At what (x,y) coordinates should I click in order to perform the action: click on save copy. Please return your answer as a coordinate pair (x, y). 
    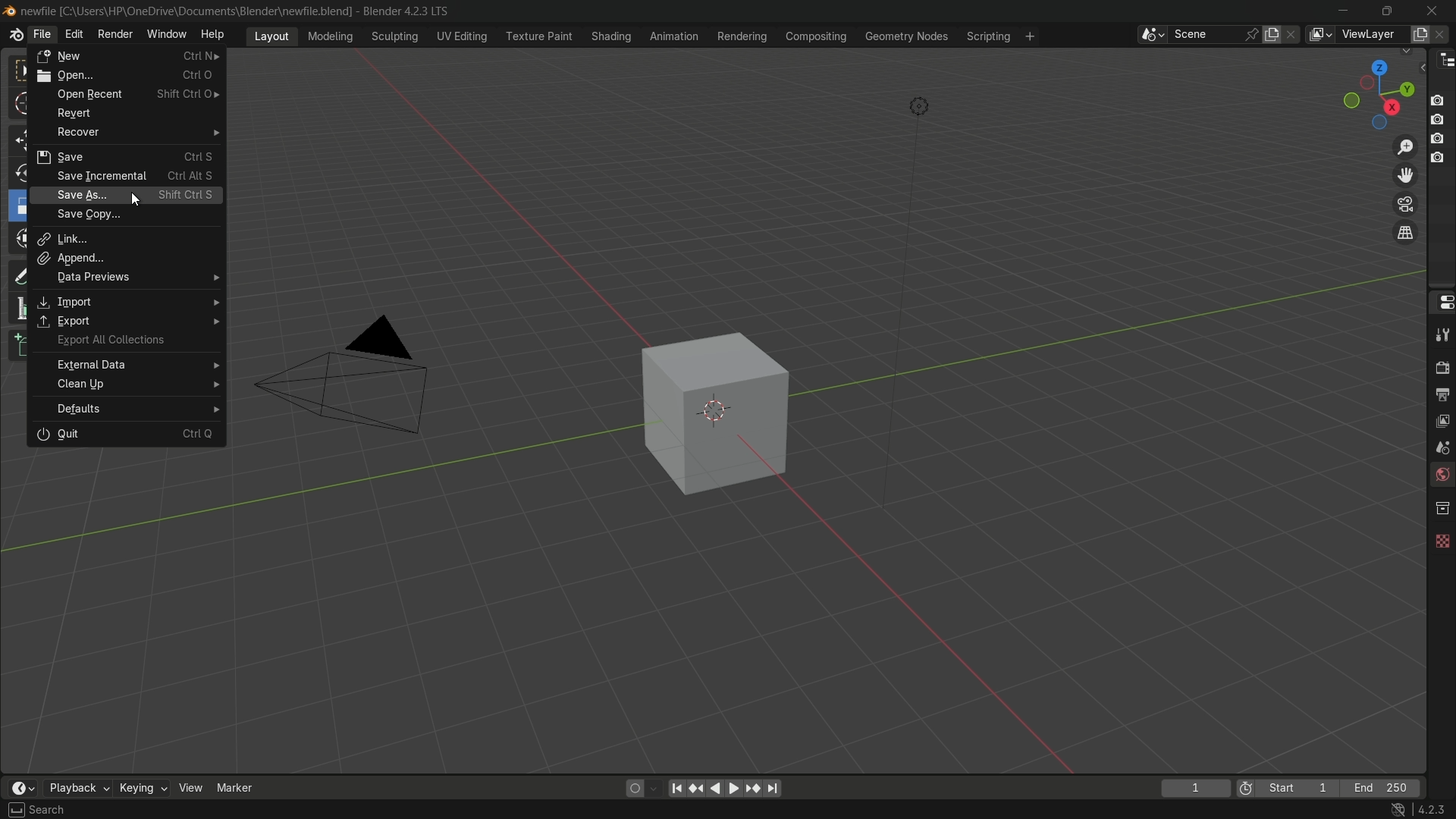
    Looking at the image, I should click on (127, 217).